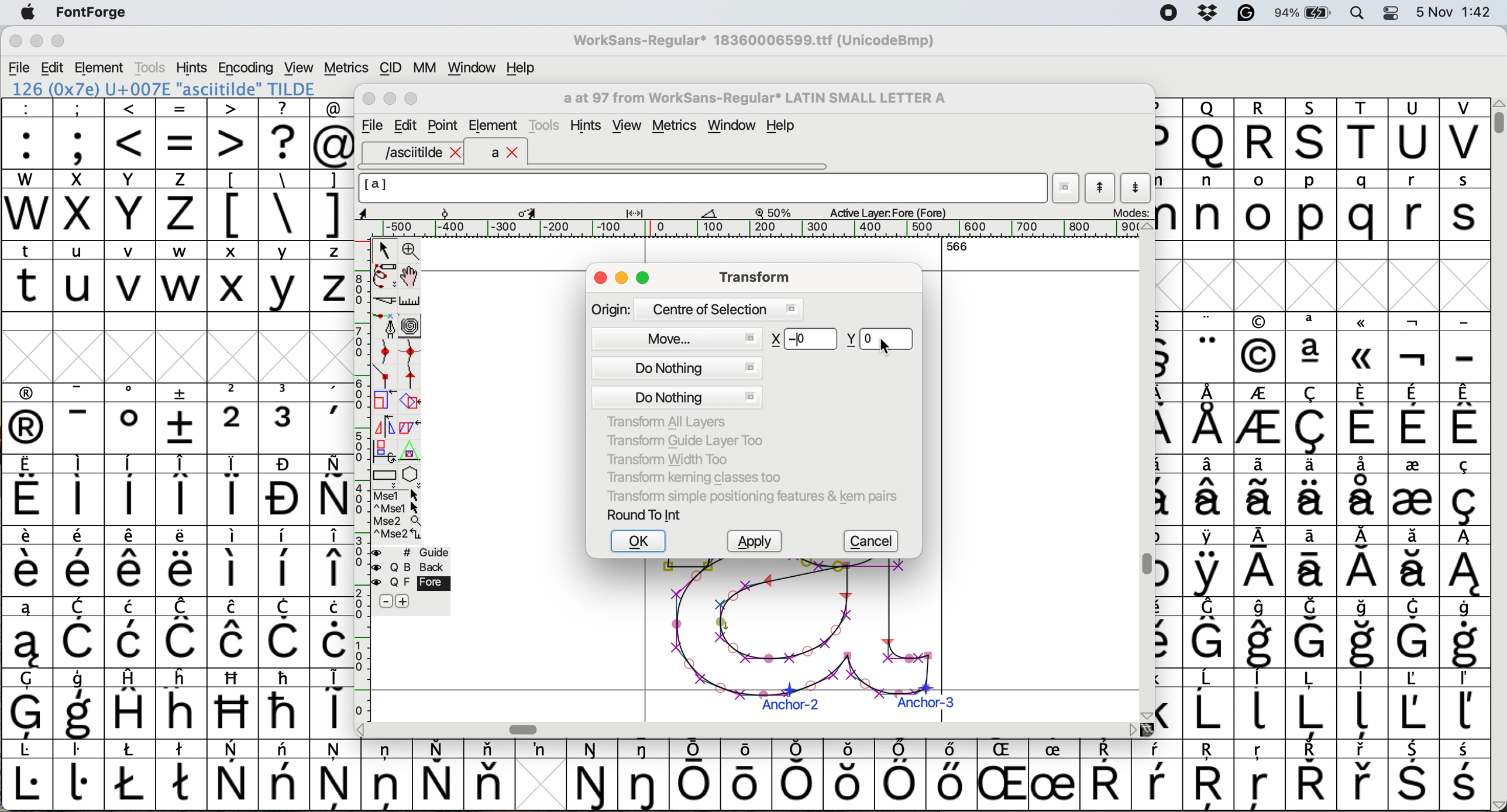 Image resolution: width=1507 pixels, height=812 pixels. I want to click on y, so click(282, 277).